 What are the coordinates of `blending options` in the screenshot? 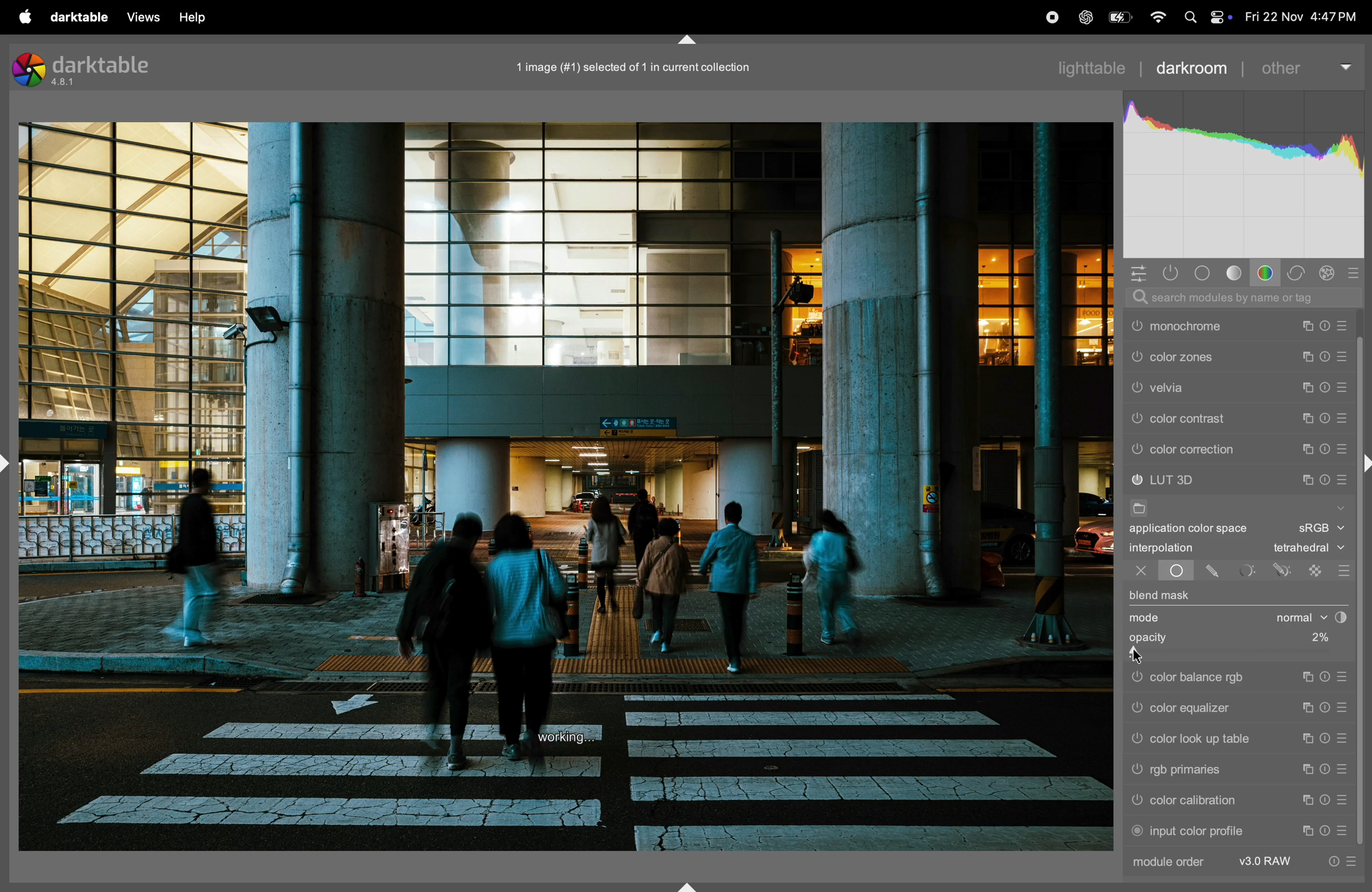 It's located at (1343, 568).